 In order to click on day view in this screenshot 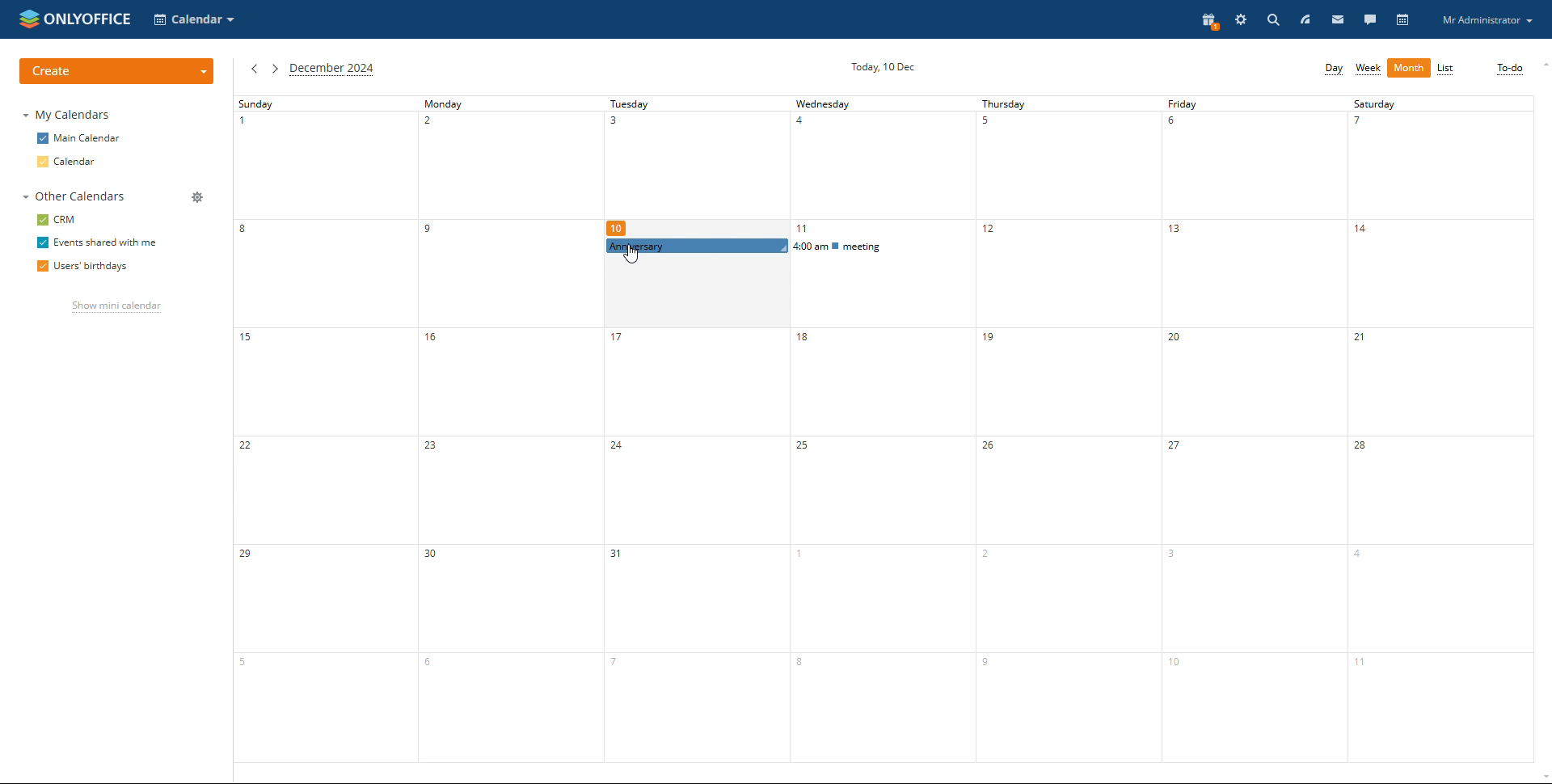, I will do `click(1333, 69)`.